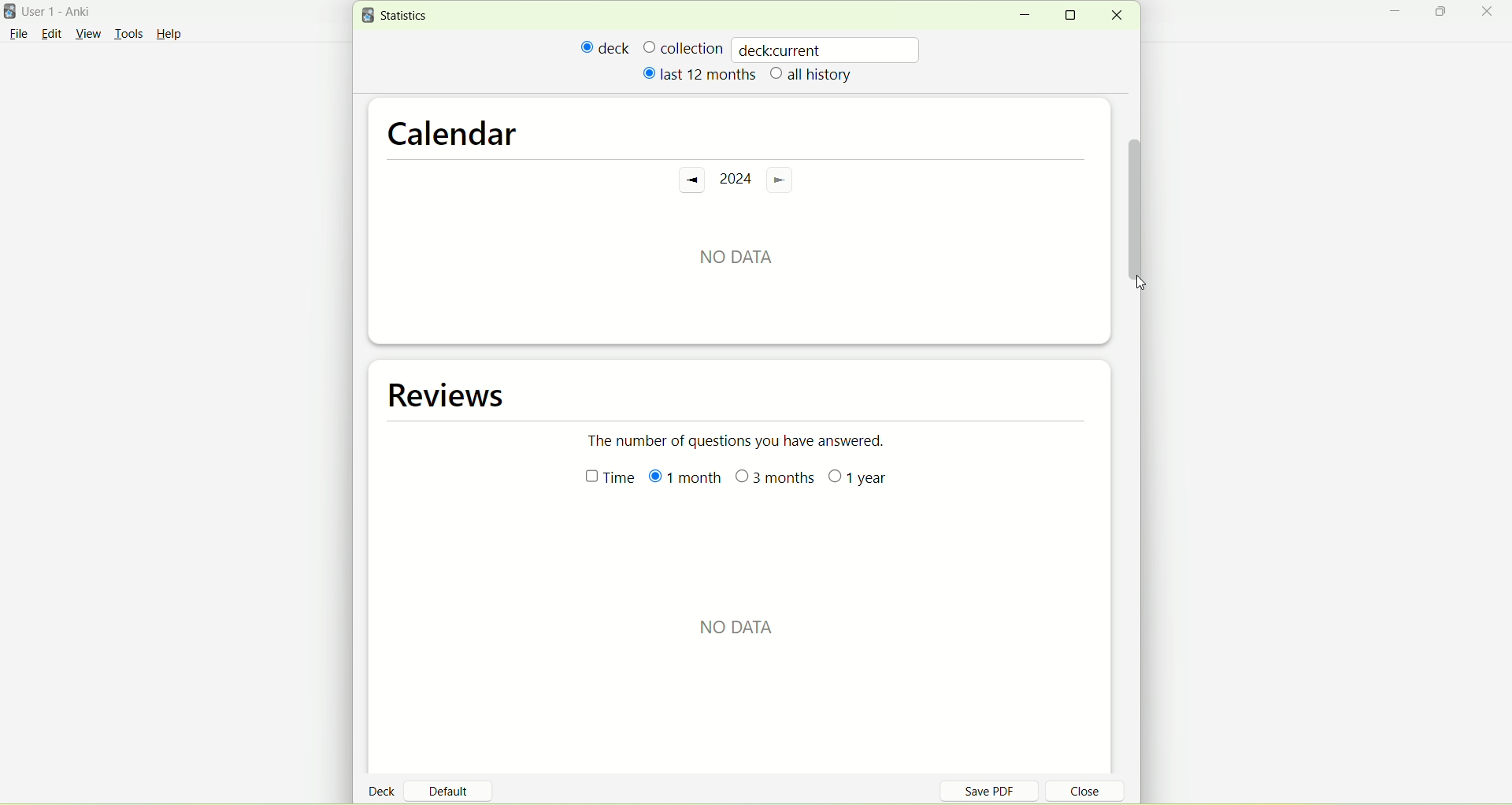 The width and height of the screenshot is (1512, 805). I want to click on 2024, so click(734, 180).